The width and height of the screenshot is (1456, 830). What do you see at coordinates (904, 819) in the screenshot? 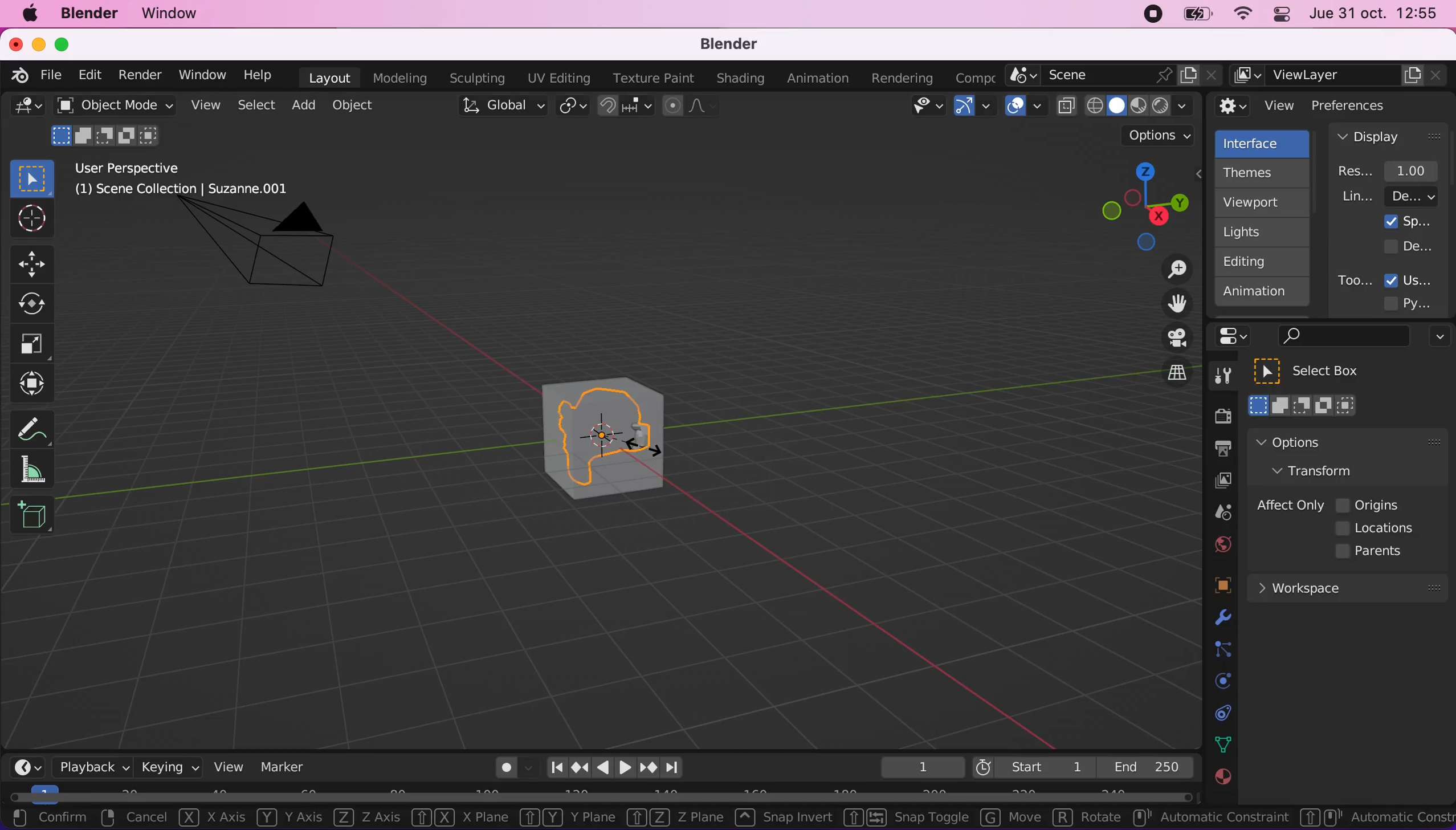
I see `snap toggle` at bounding box center [904, 819].